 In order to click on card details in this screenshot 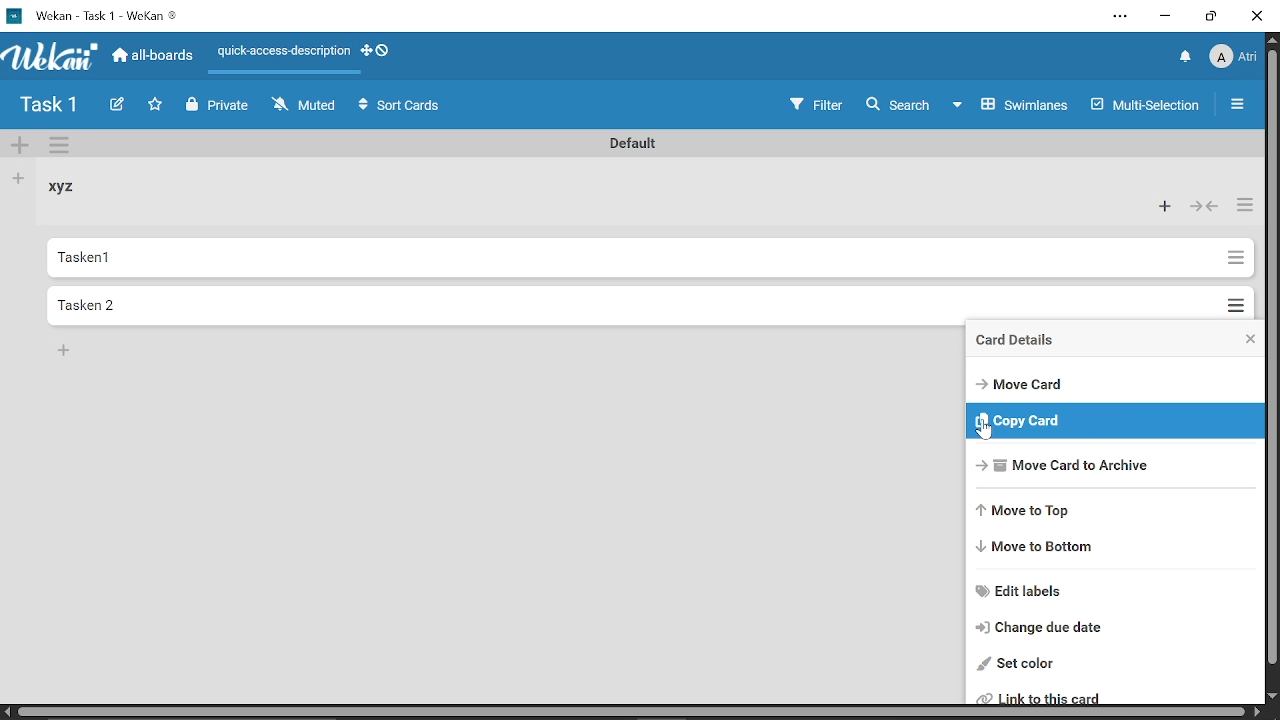, I will do `click(1028, 342)`.